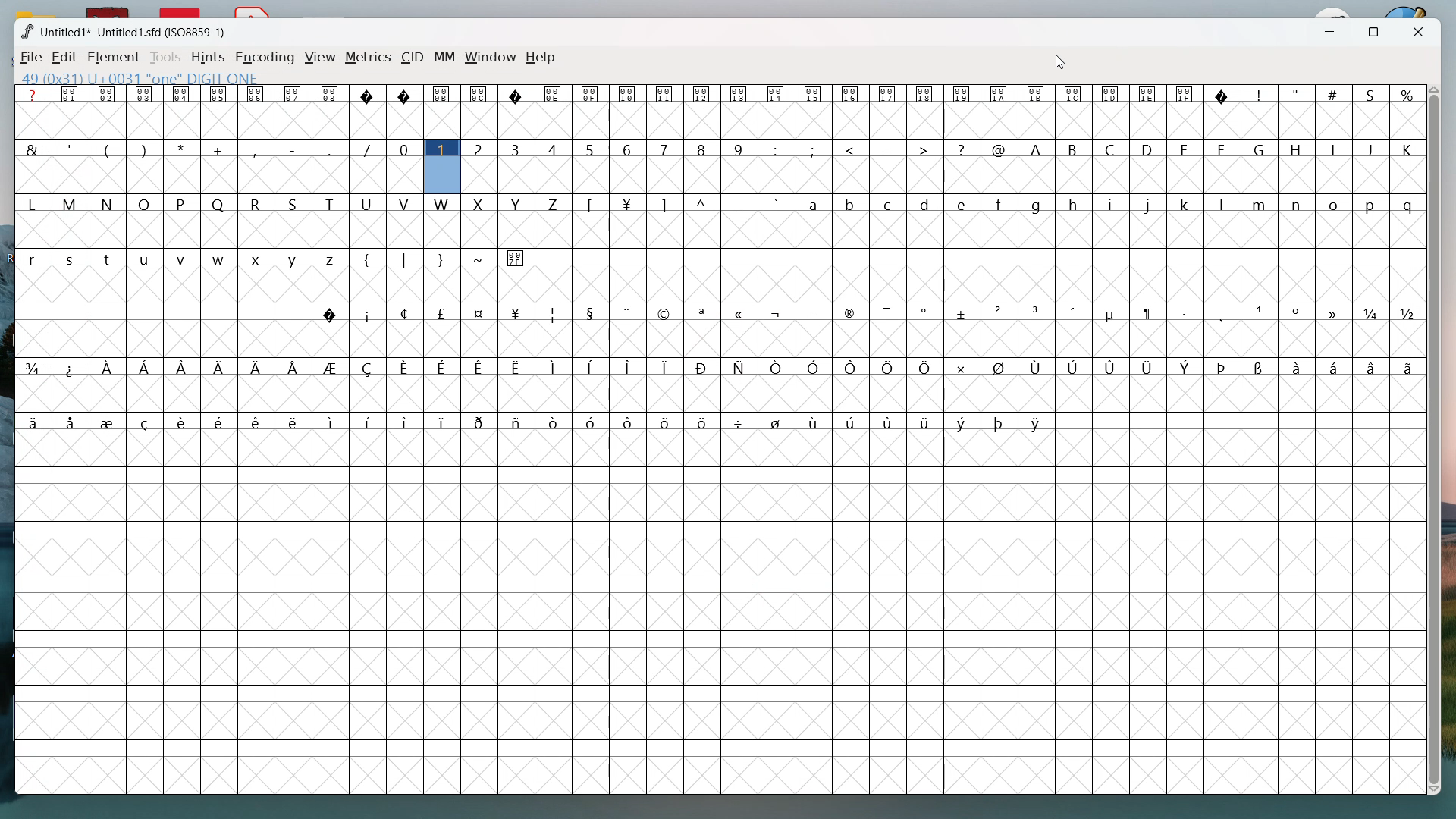 The height and width of the screenshot is (819, 1456). I want to click on symbol, so click(405, 313).